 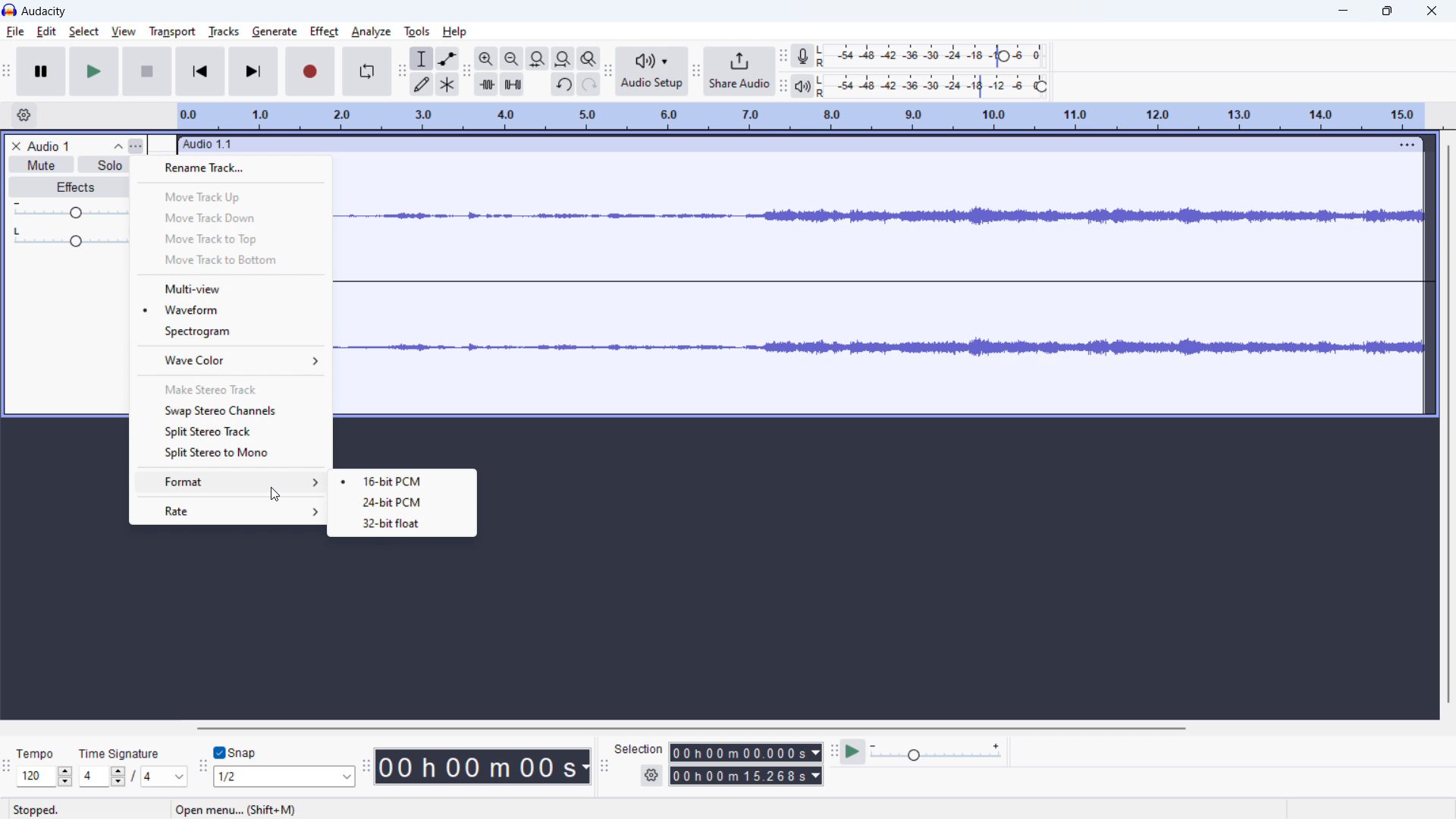 I want to click on move track down, so click(x=231, y=218).